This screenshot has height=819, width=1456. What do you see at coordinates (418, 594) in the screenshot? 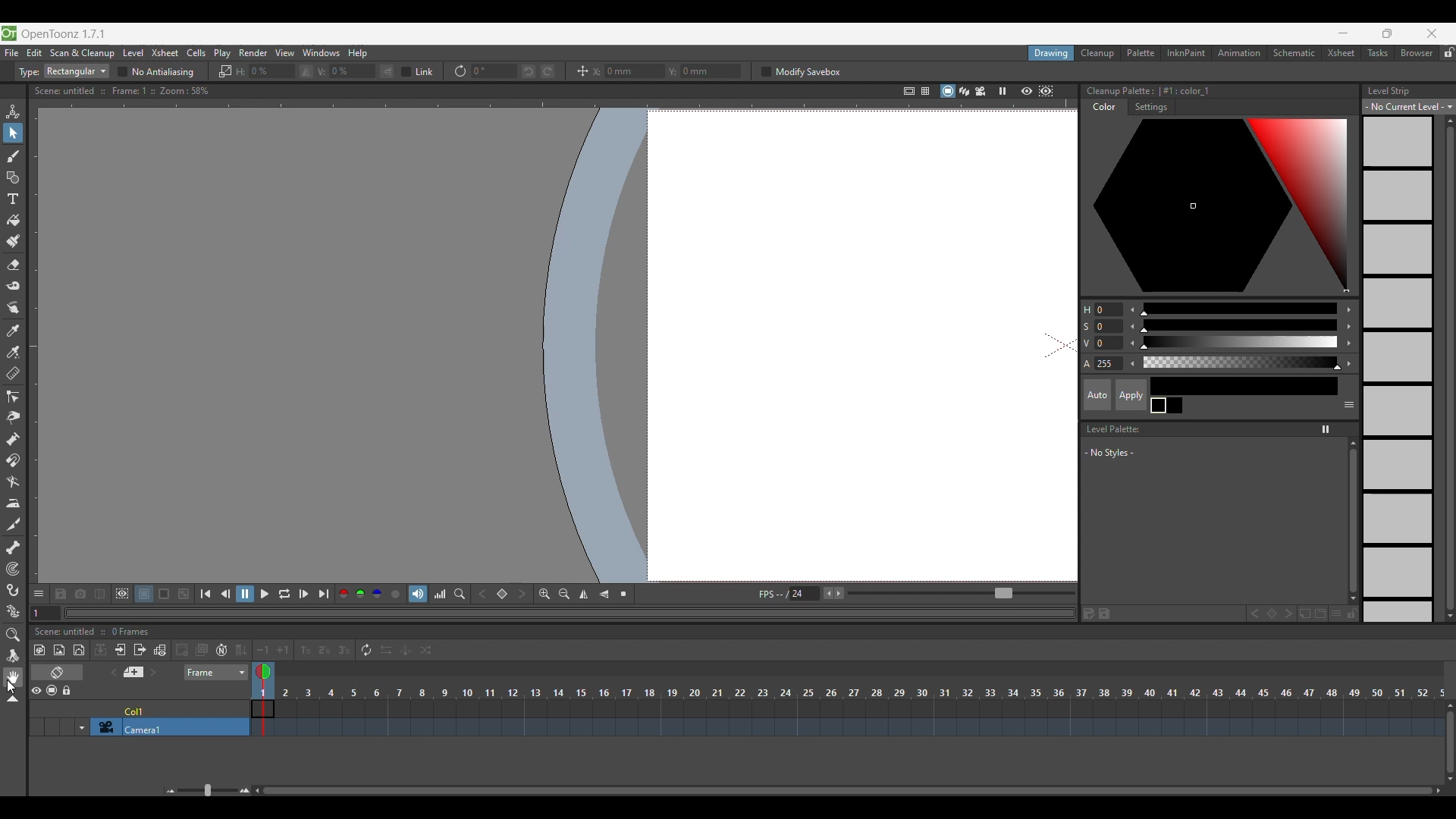
I see `Soundtrack` at bounding box center [418, 594].